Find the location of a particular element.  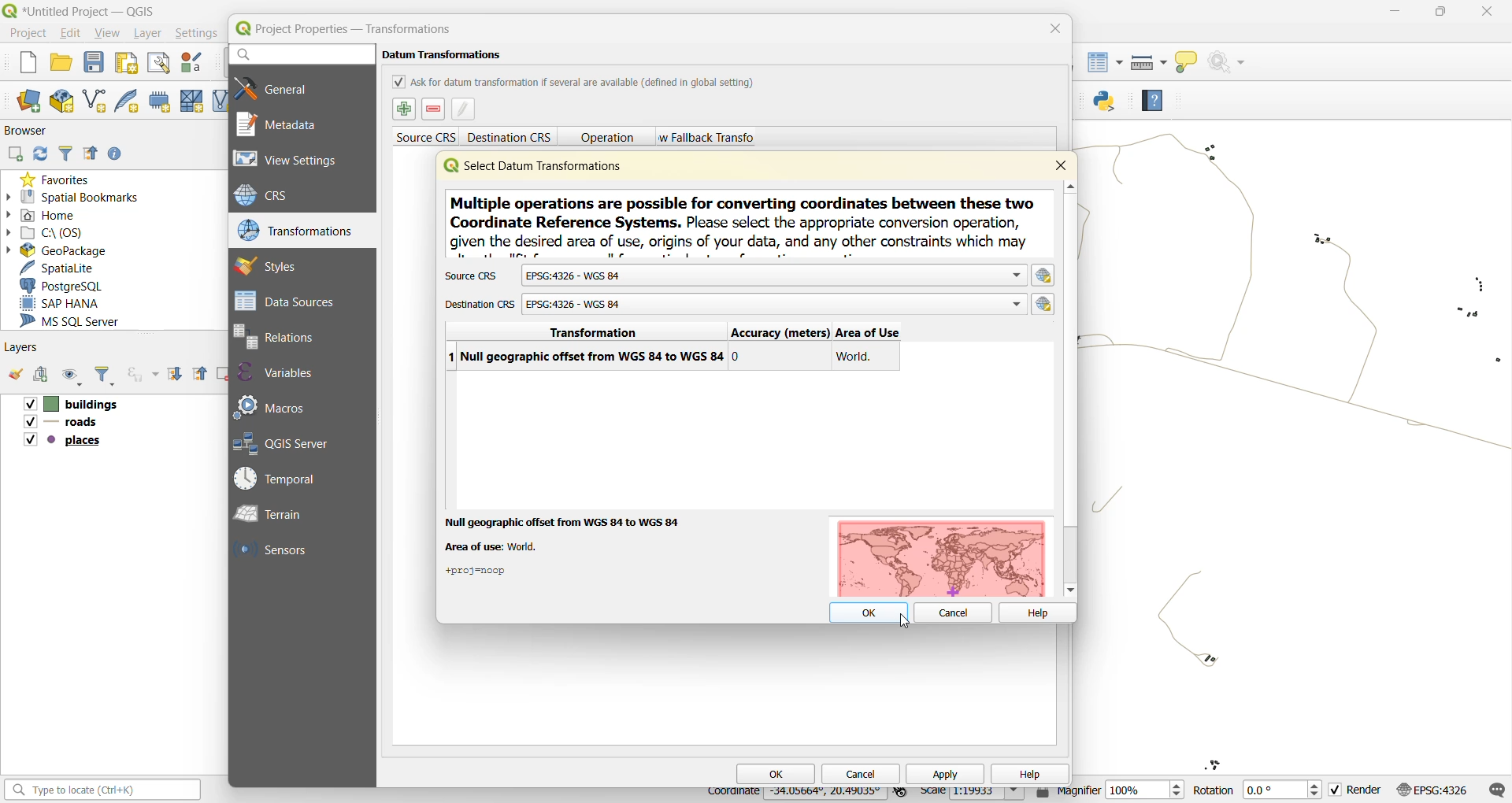

favorites is located at coordinates (55, 179).